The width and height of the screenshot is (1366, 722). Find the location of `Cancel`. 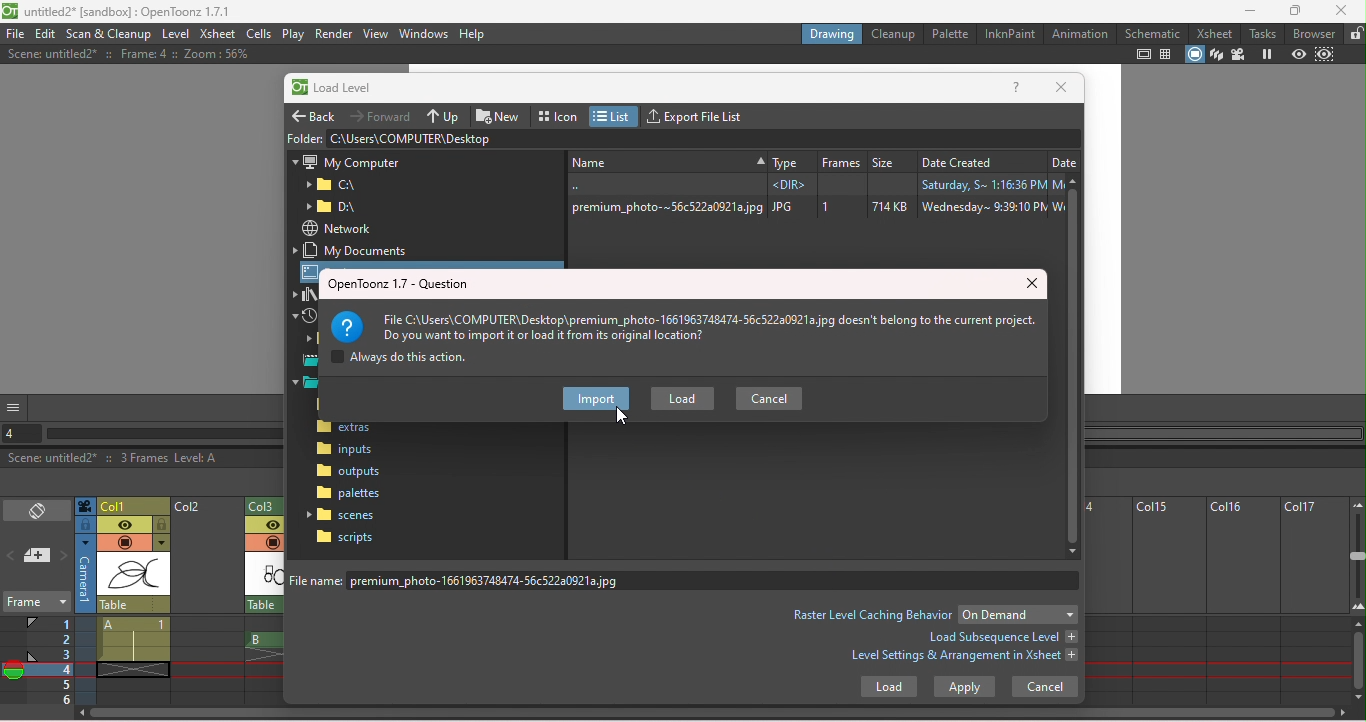

Cancel is located at coordinates (1045, 686).